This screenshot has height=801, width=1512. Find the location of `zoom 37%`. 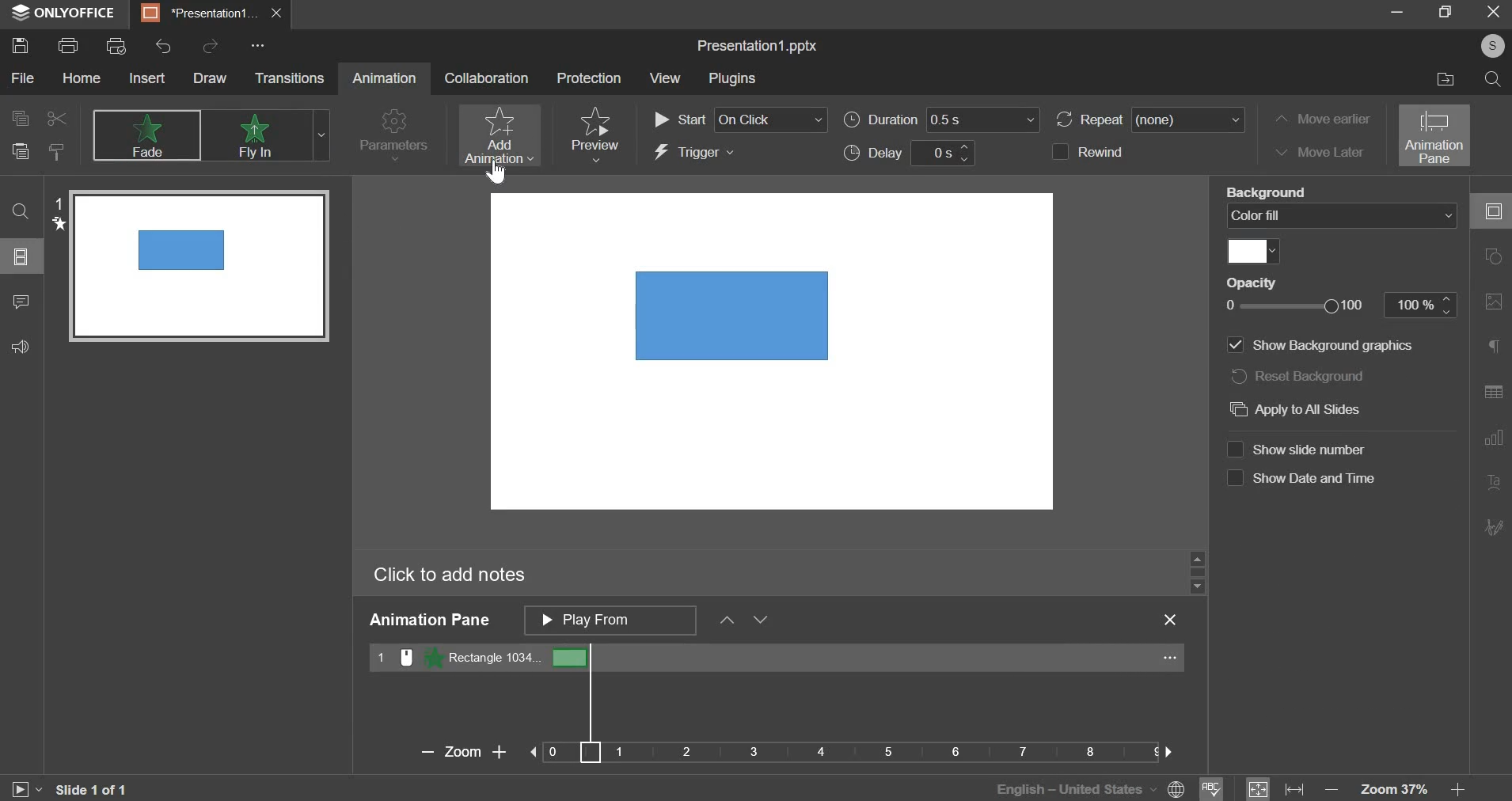

zoom 37% is located at coordinates (1394, 787).